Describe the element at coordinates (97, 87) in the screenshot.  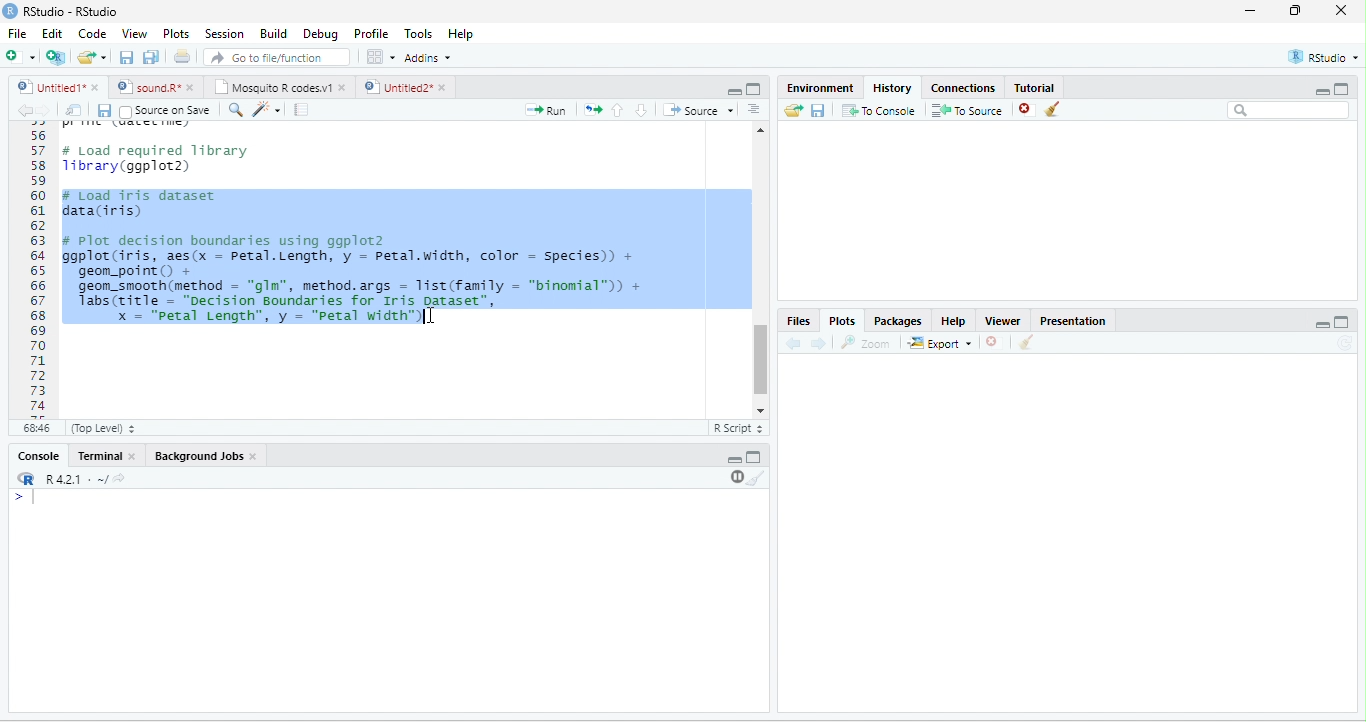
I see `close` at that location.